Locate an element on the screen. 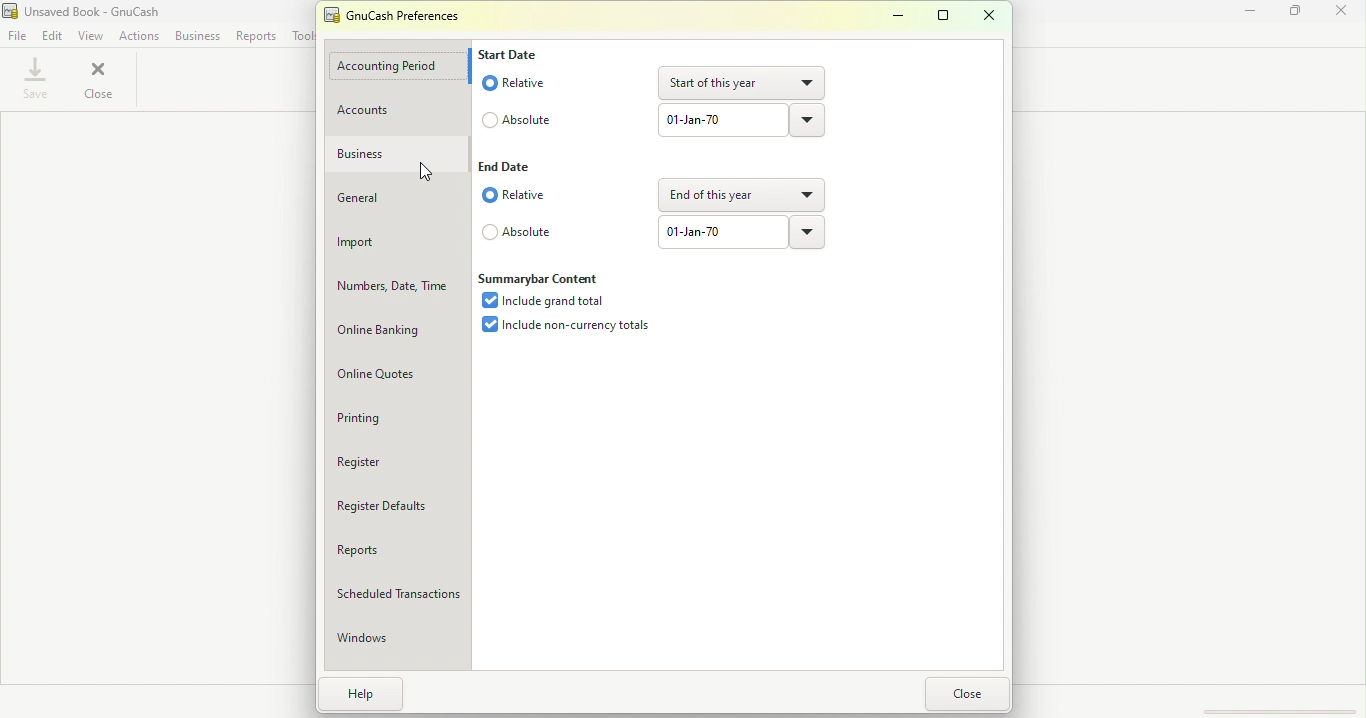 This screenshot has width=1366, height=718. Include grand total is located at coordinates (552, 301).